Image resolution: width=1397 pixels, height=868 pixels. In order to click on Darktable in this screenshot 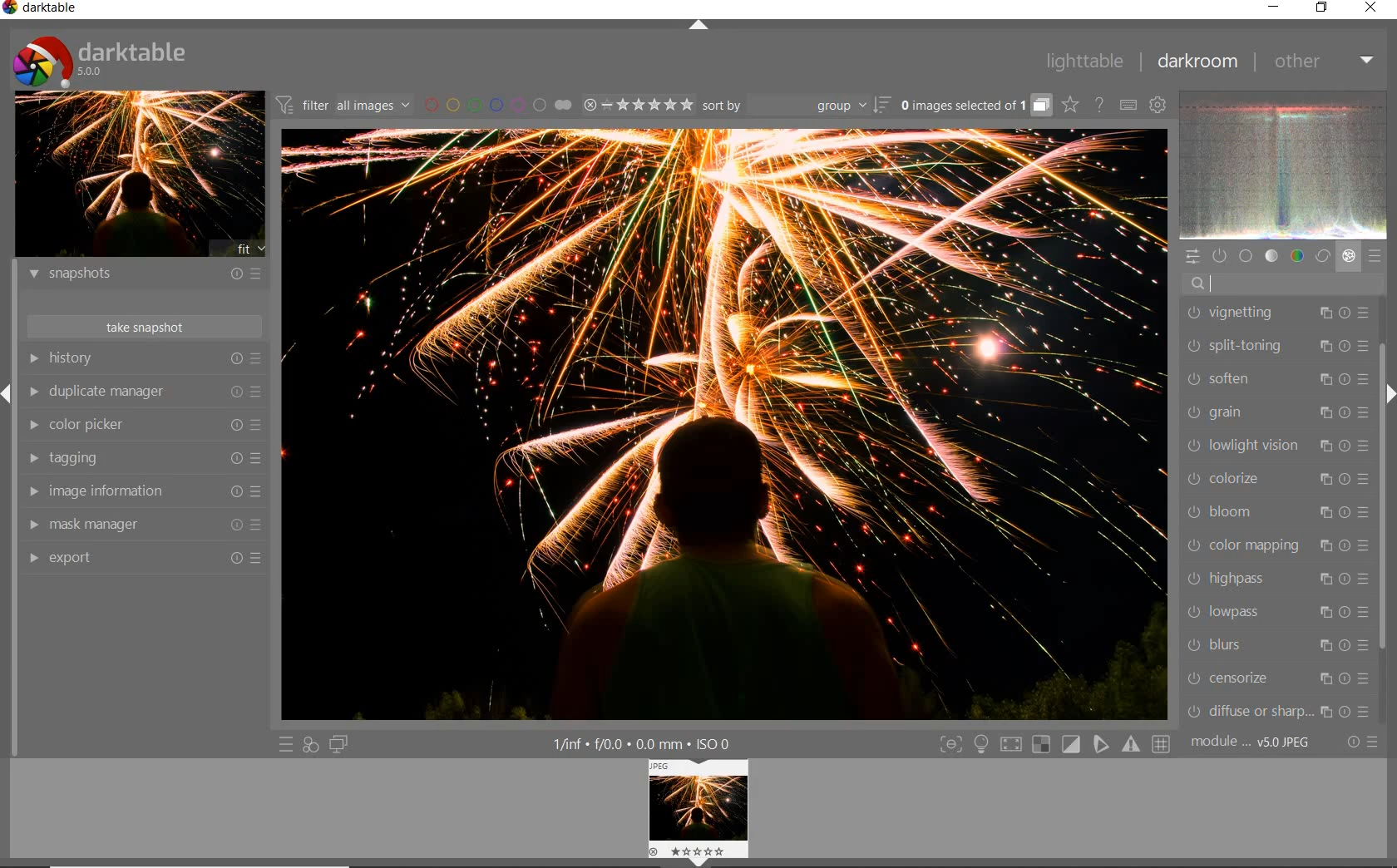, I will do `click(42, 9)`.